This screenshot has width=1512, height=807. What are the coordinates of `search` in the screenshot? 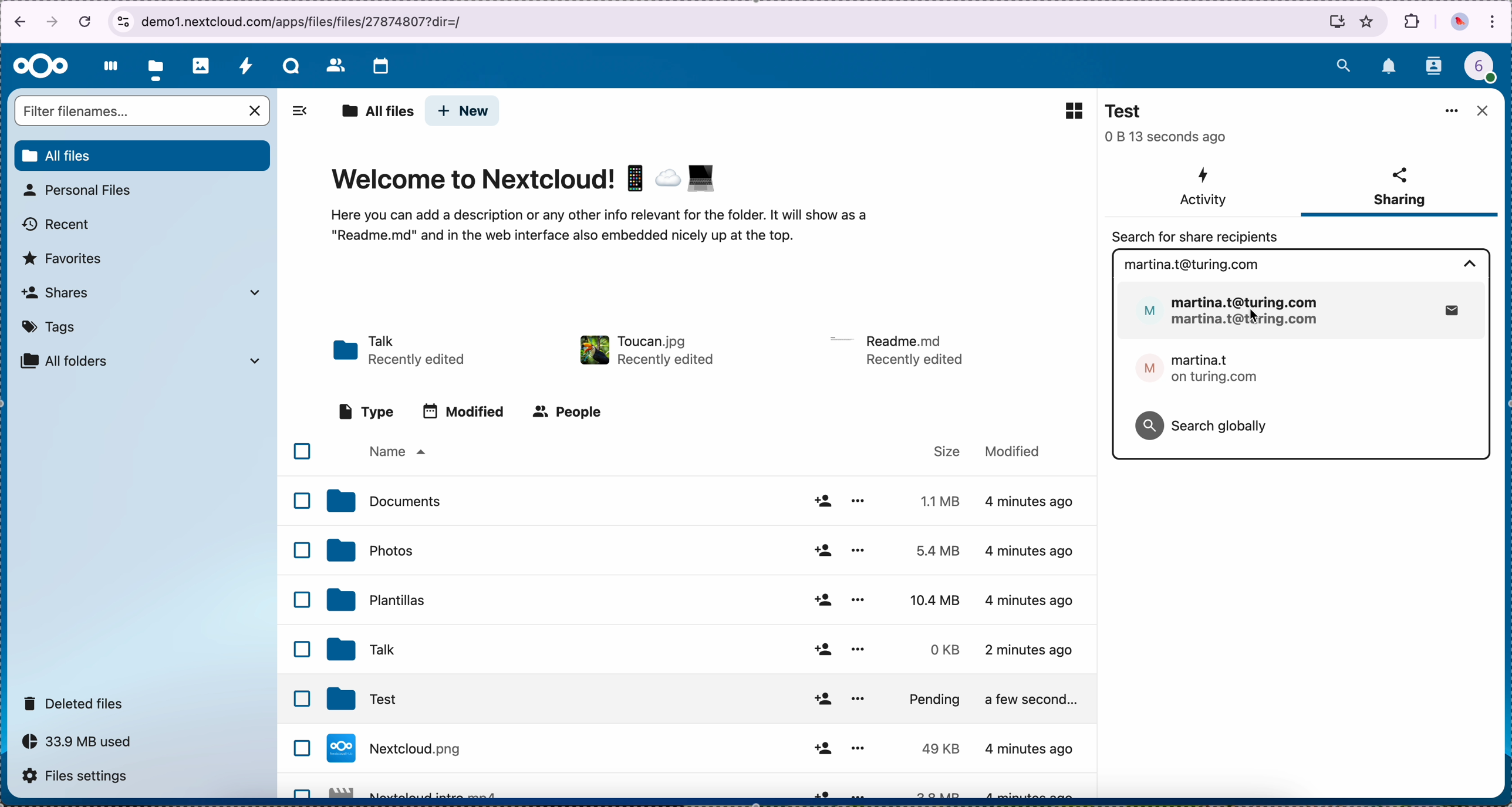 It's located at (1343, 63).